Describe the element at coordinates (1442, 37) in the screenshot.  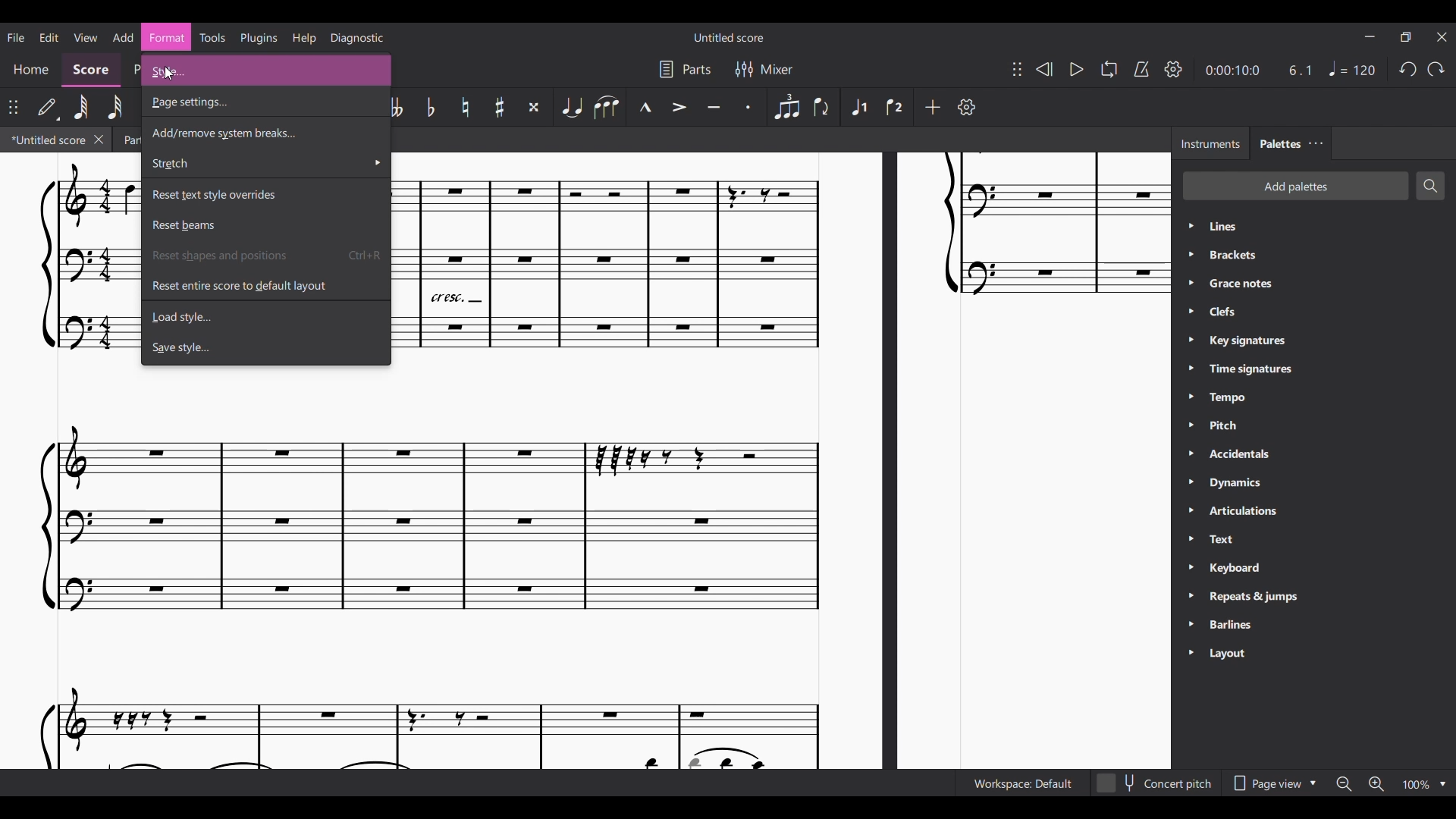
I see `Close interface` at that location.